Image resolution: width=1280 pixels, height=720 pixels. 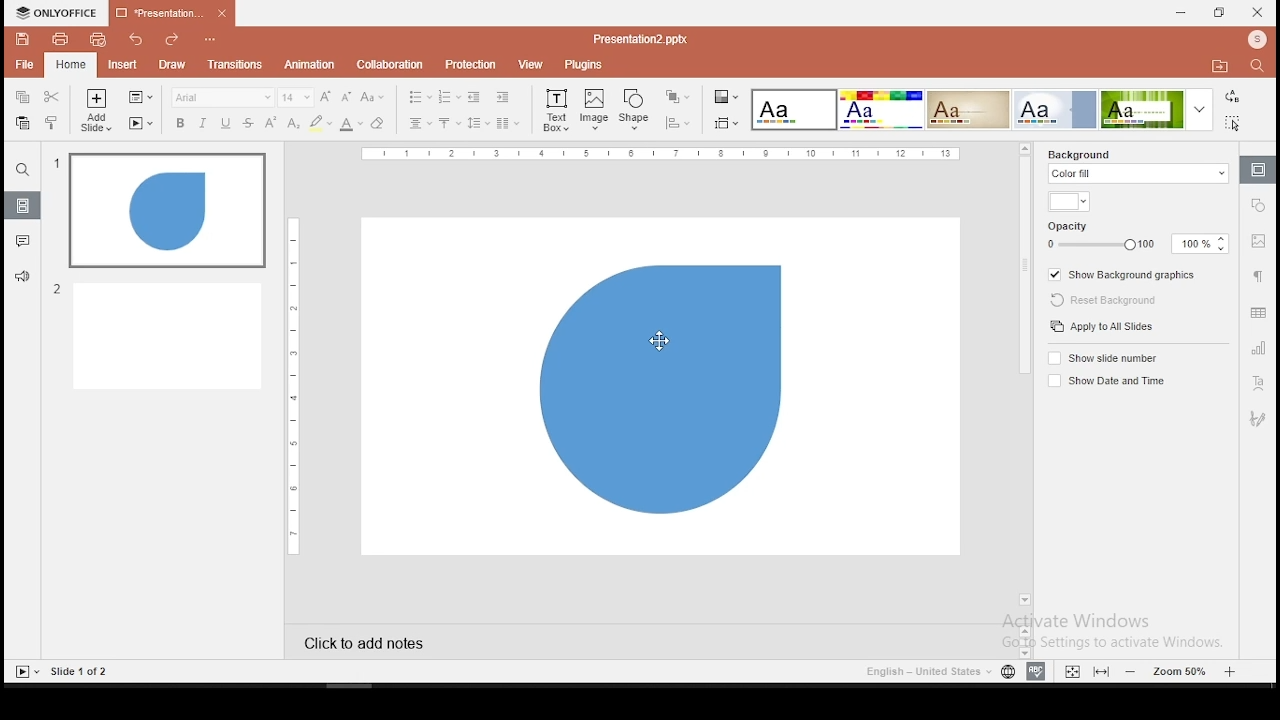 I want to click on background fill color, so click(x=1071, y=202).